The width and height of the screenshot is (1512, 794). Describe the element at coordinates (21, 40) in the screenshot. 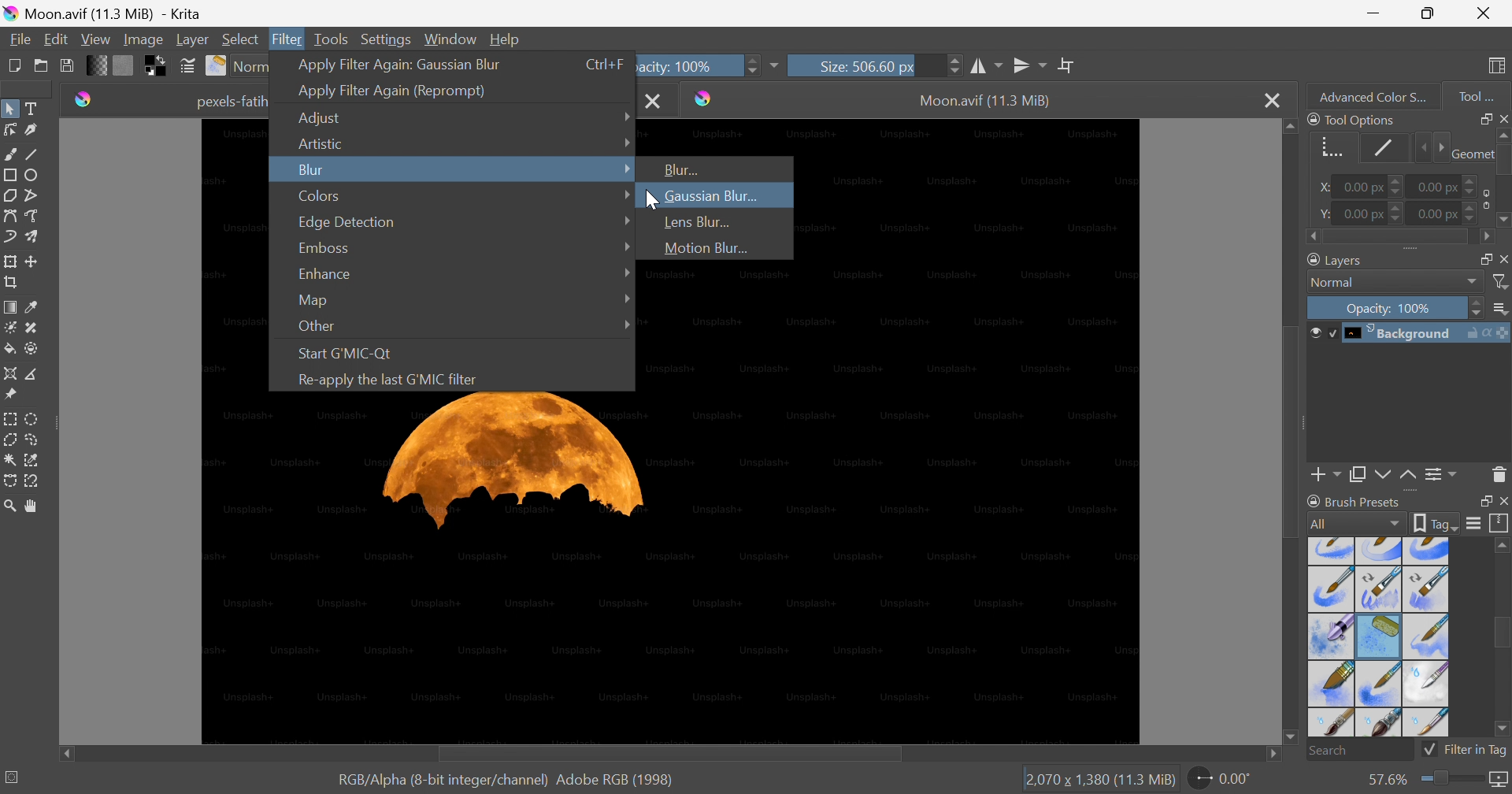

I see `File` at that location.